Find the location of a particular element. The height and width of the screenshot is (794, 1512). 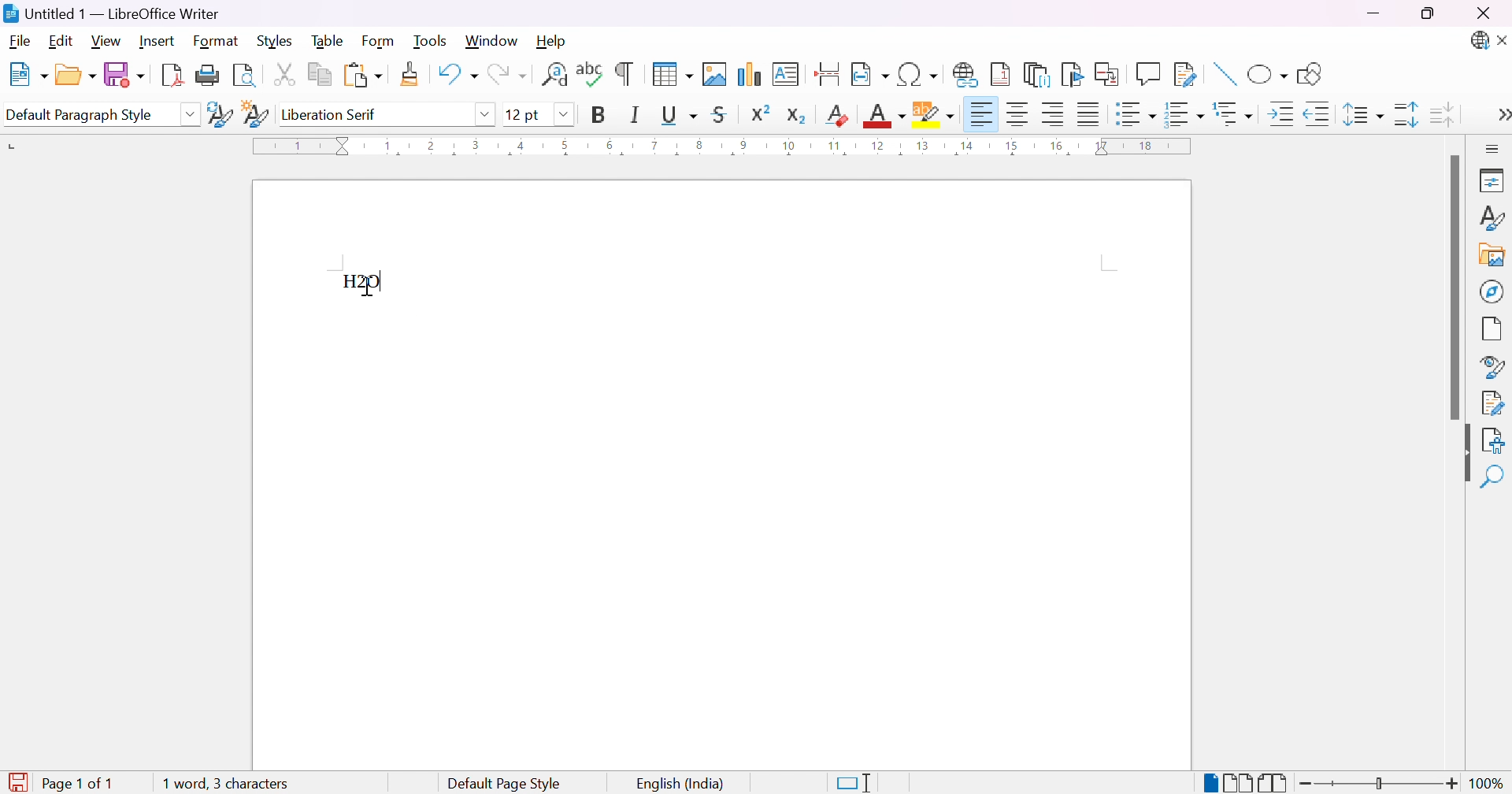

Align right is located at coordinates (1054, 115).